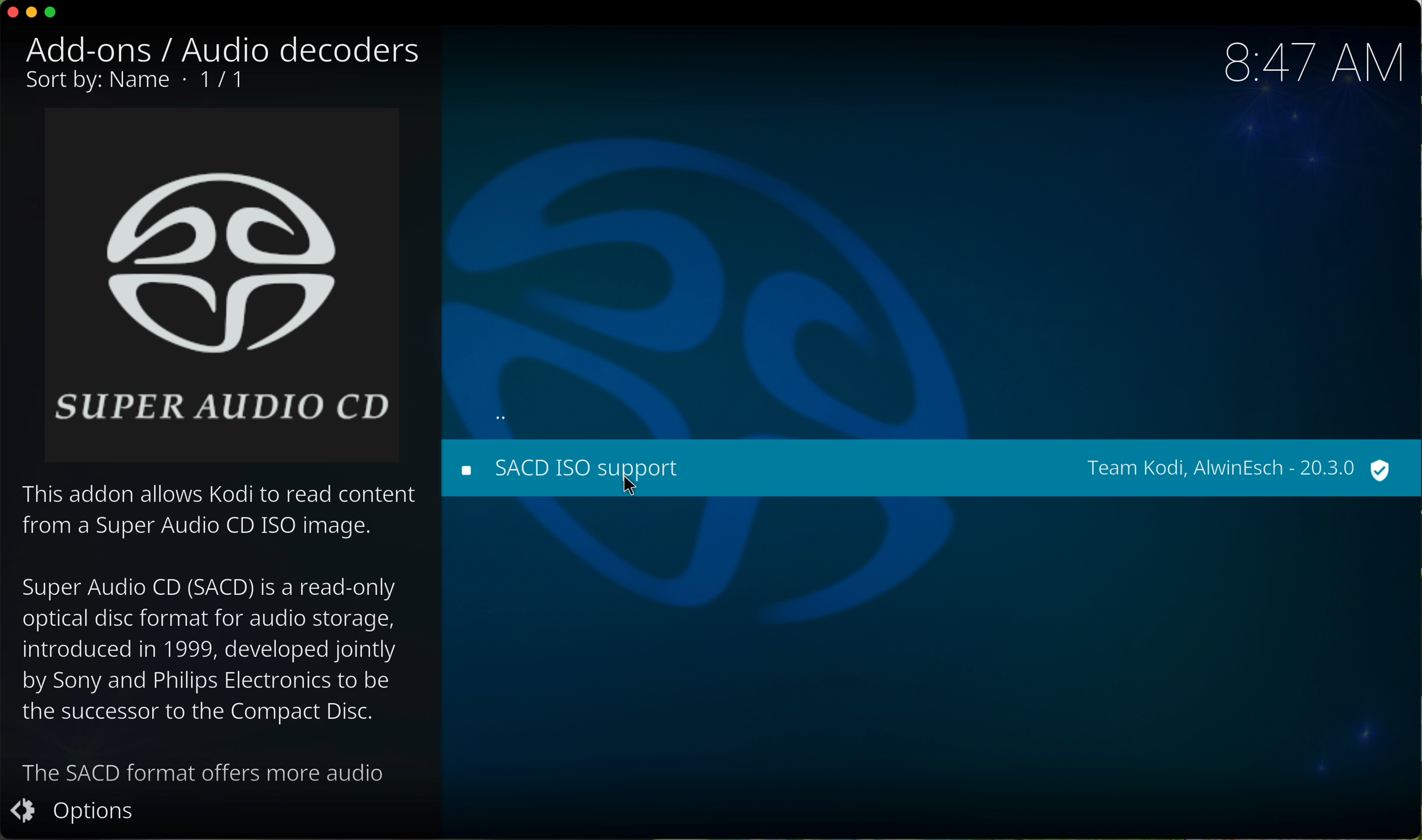  I want to click on maximize, so click(55, 15).